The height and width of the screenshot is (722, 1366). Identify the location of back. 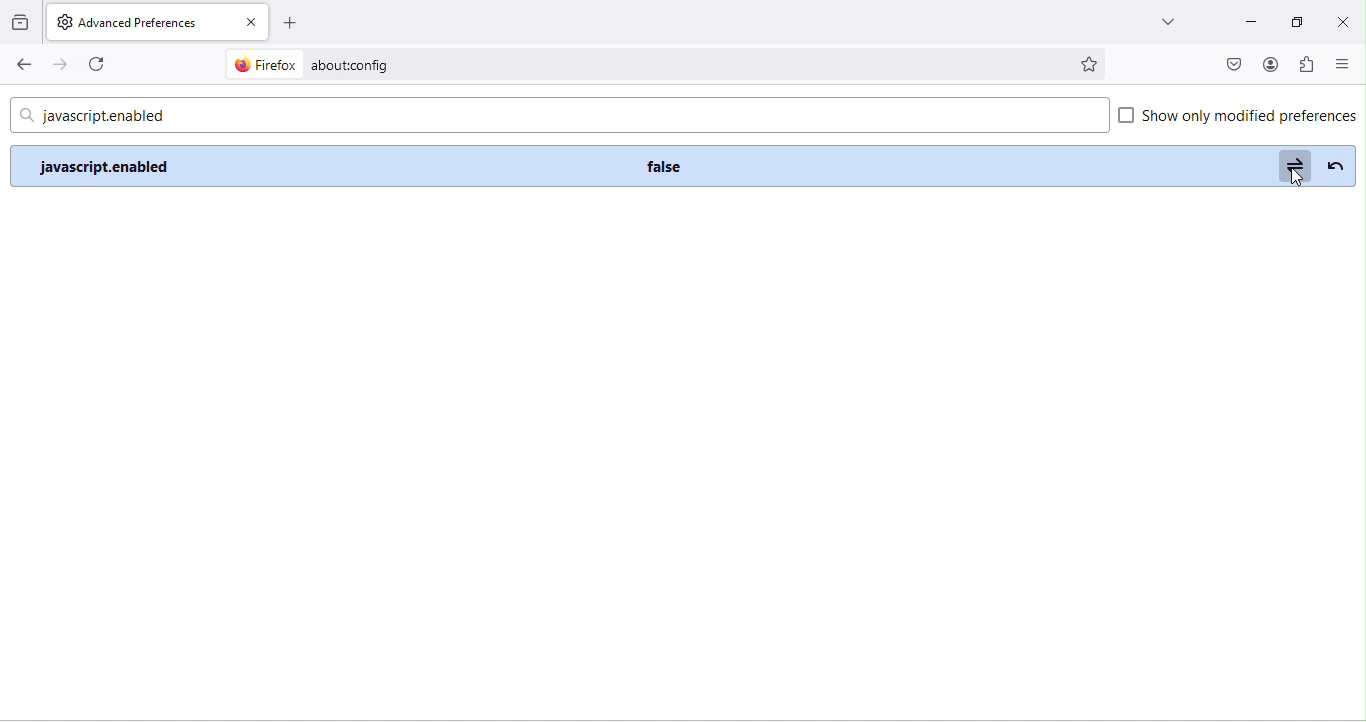
(20, 64).